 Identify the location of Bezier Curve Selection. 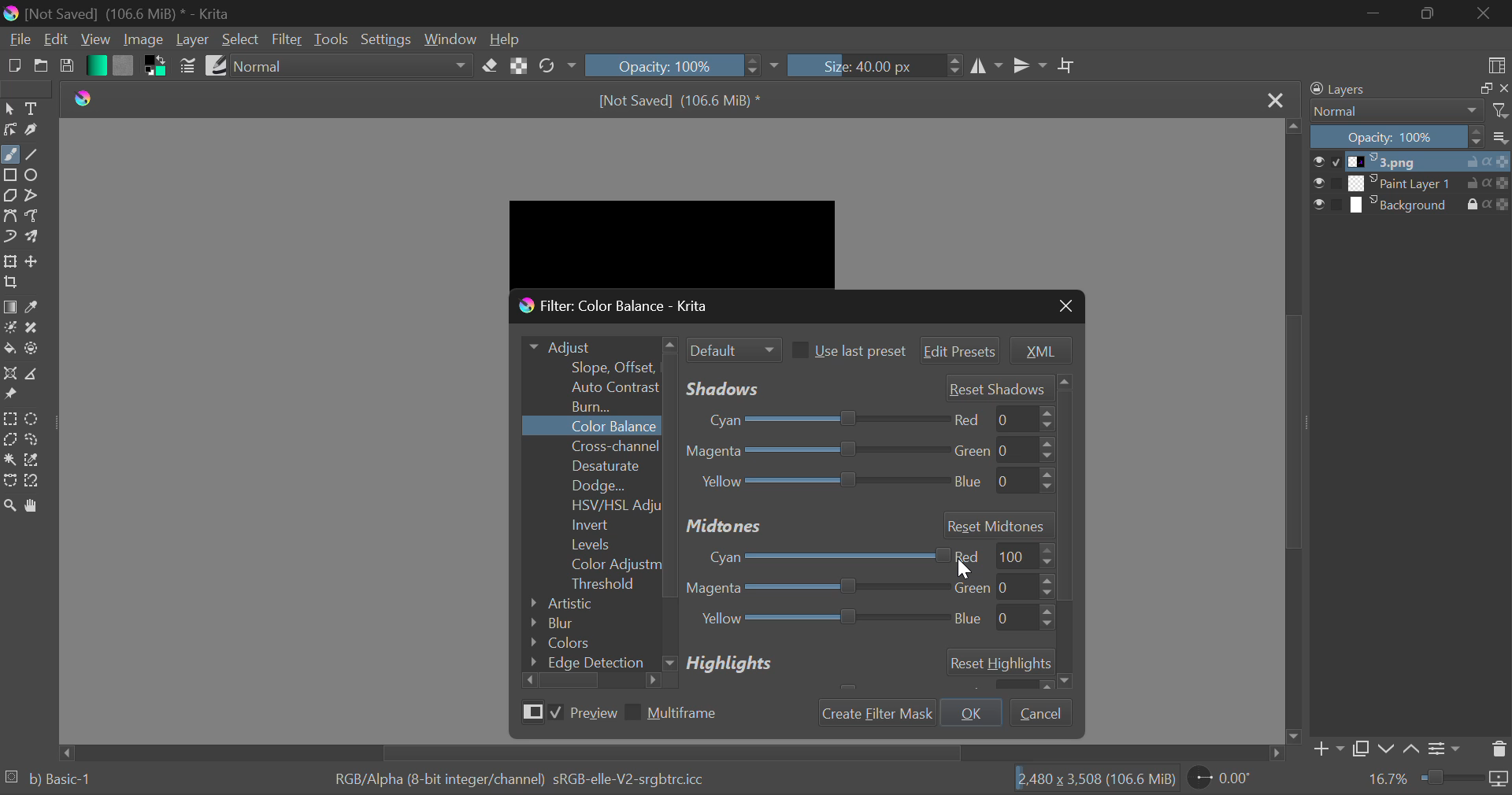
(10, 480).